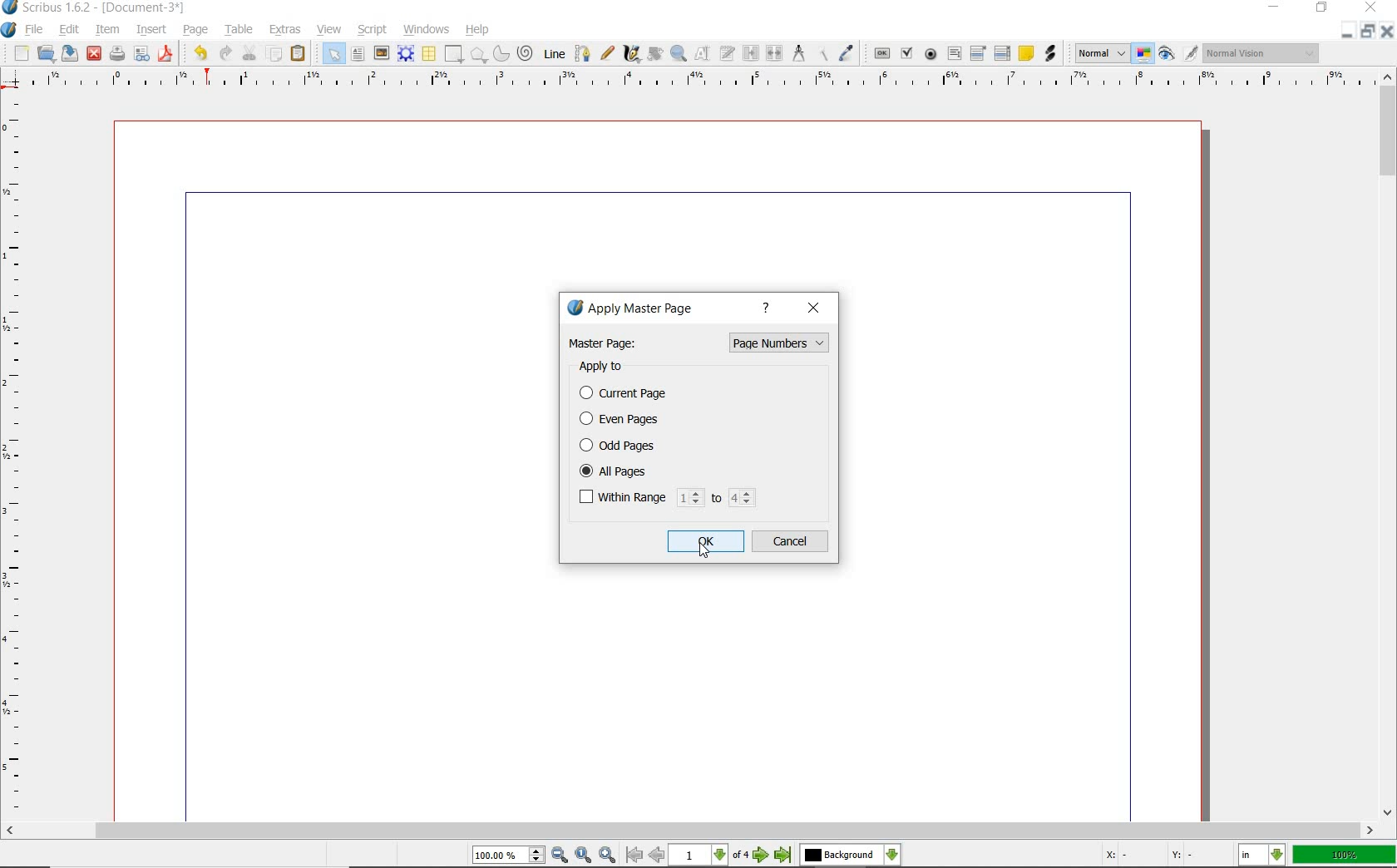  I want to click on windows, so click(427, 29).